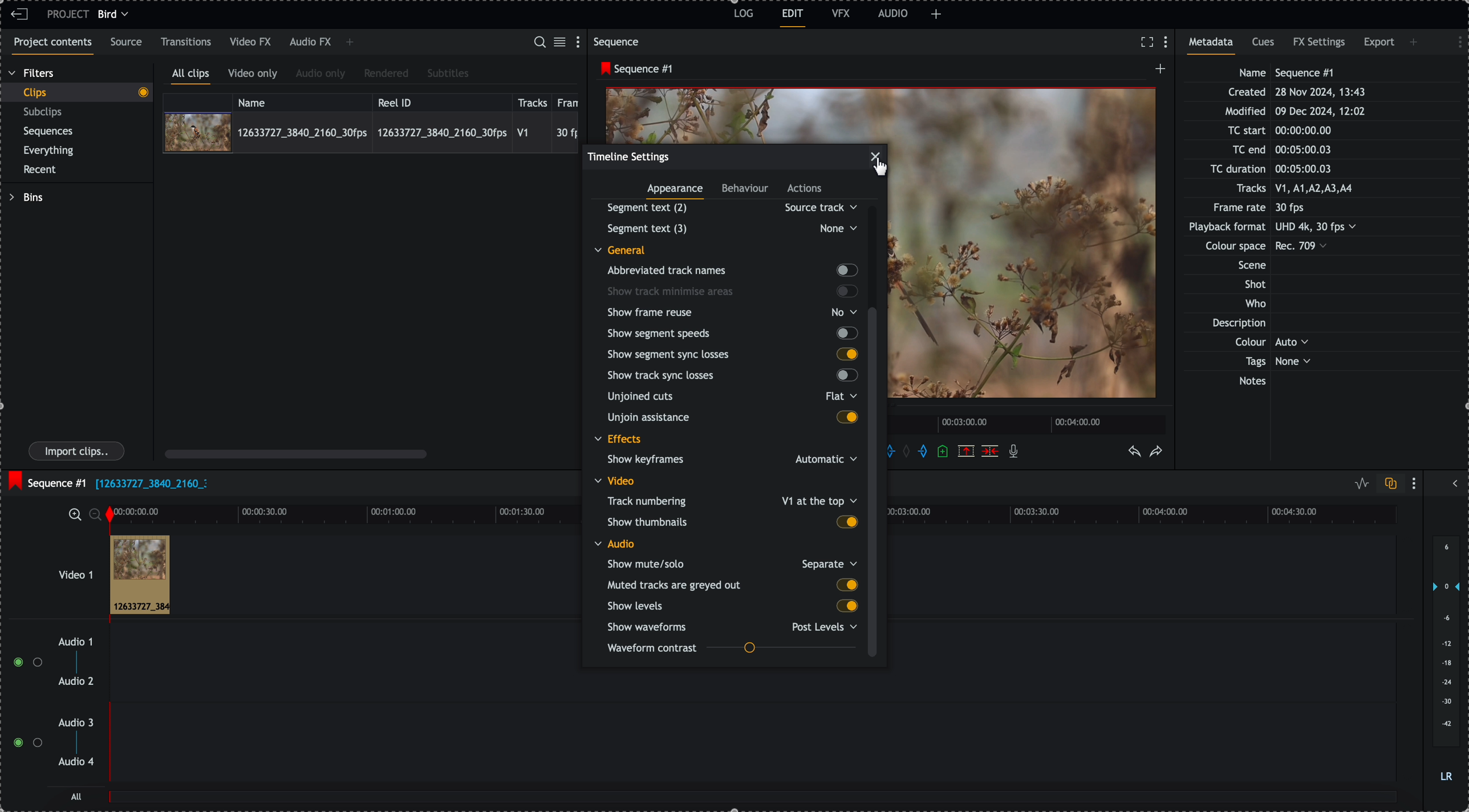 The image size is (1469, 812). What do you see at coordinates (990, 451) in the screenshot?
I see `delete/cut` at bounding box center [990, 451].